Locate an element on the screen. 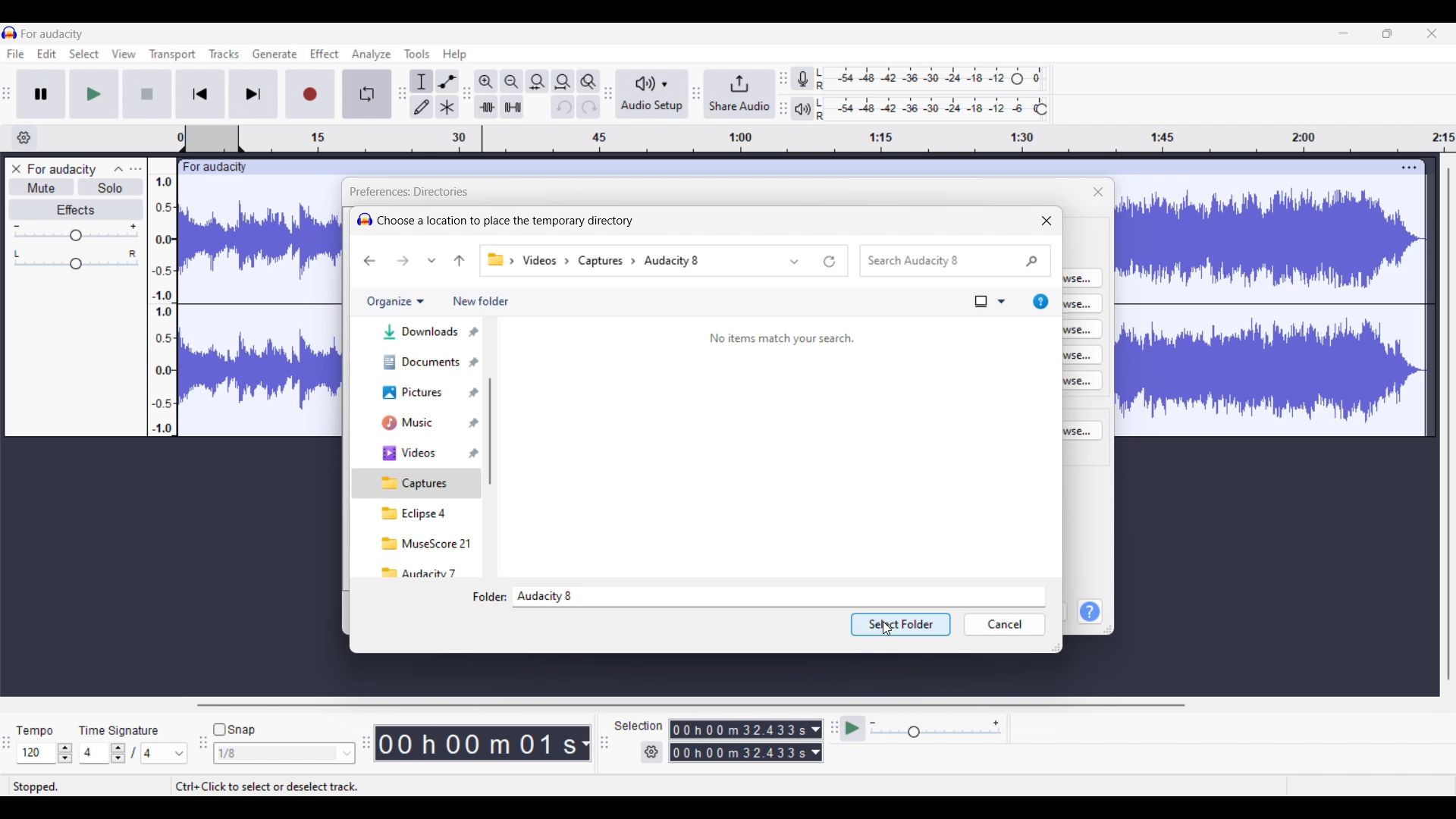  Documents is located at coordinates (421, 362).